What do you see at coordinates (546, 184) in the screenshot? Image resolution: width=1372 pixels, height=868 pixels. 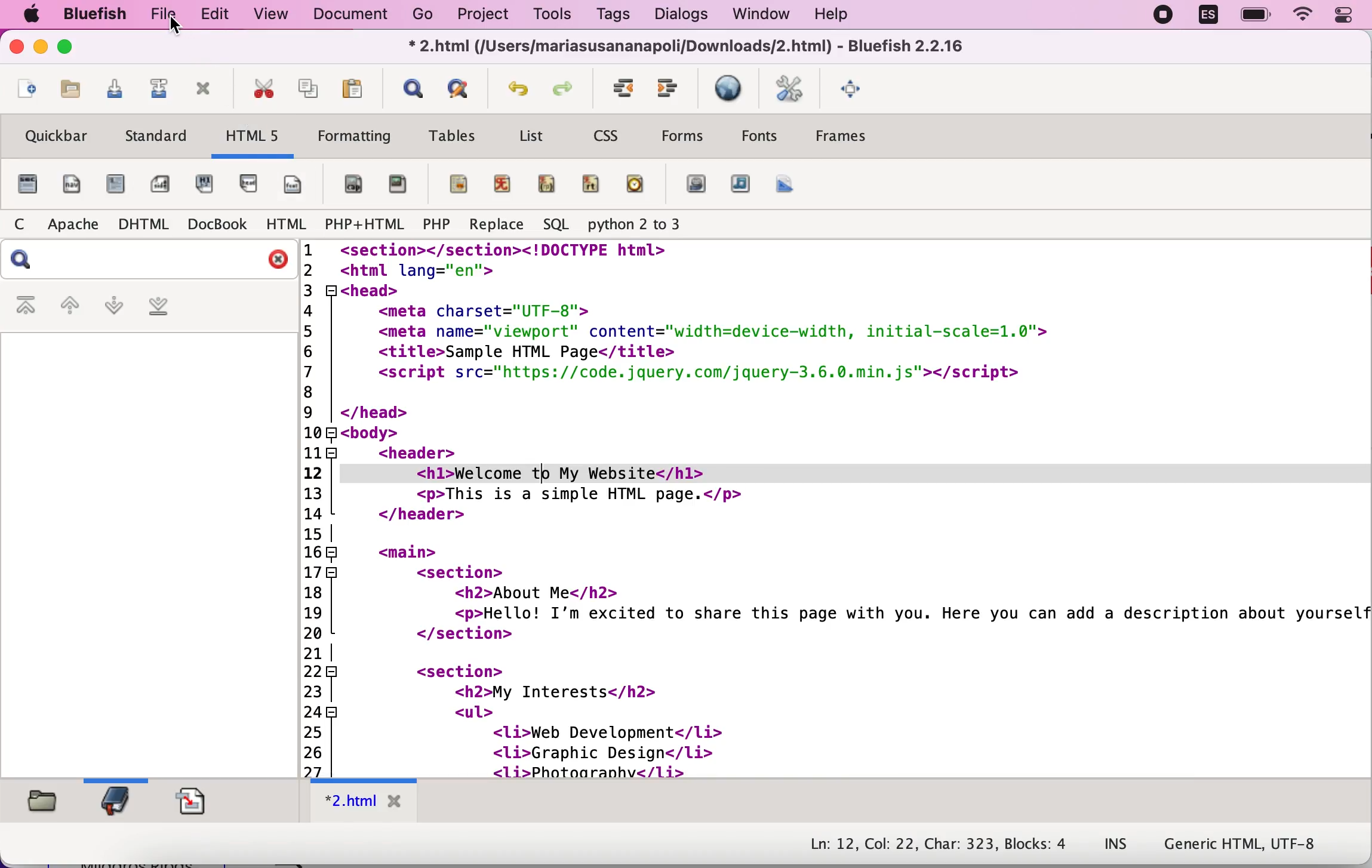 I see `ruby parenthesis` at bounding box center [546, 184].